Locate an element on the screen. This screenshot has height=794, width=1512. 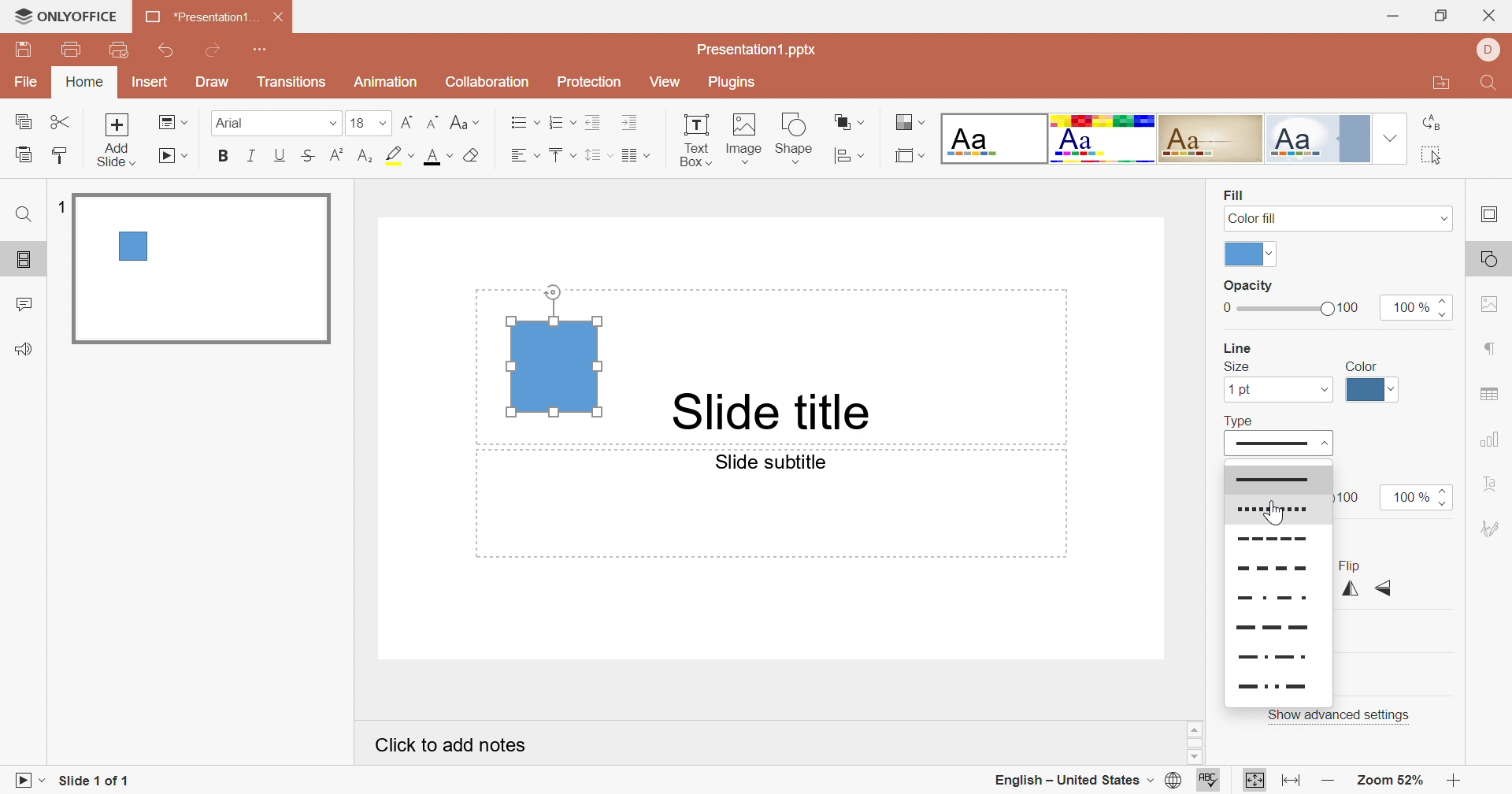
Redo is located at coordinates (223, 54).